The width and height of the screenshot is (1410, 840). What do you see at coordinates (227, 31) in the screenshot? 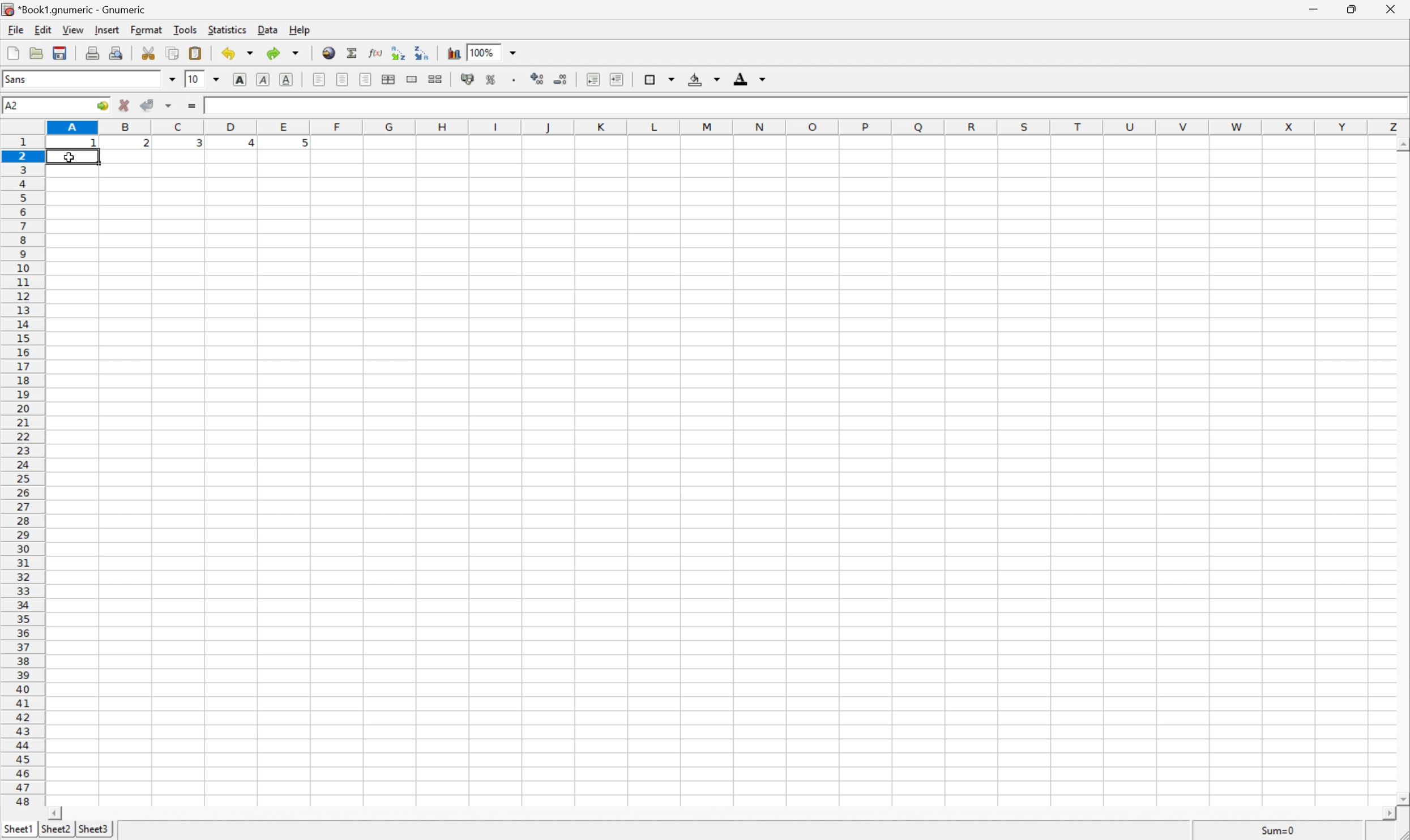
I see `statistics` at bounding box center [227, 31].